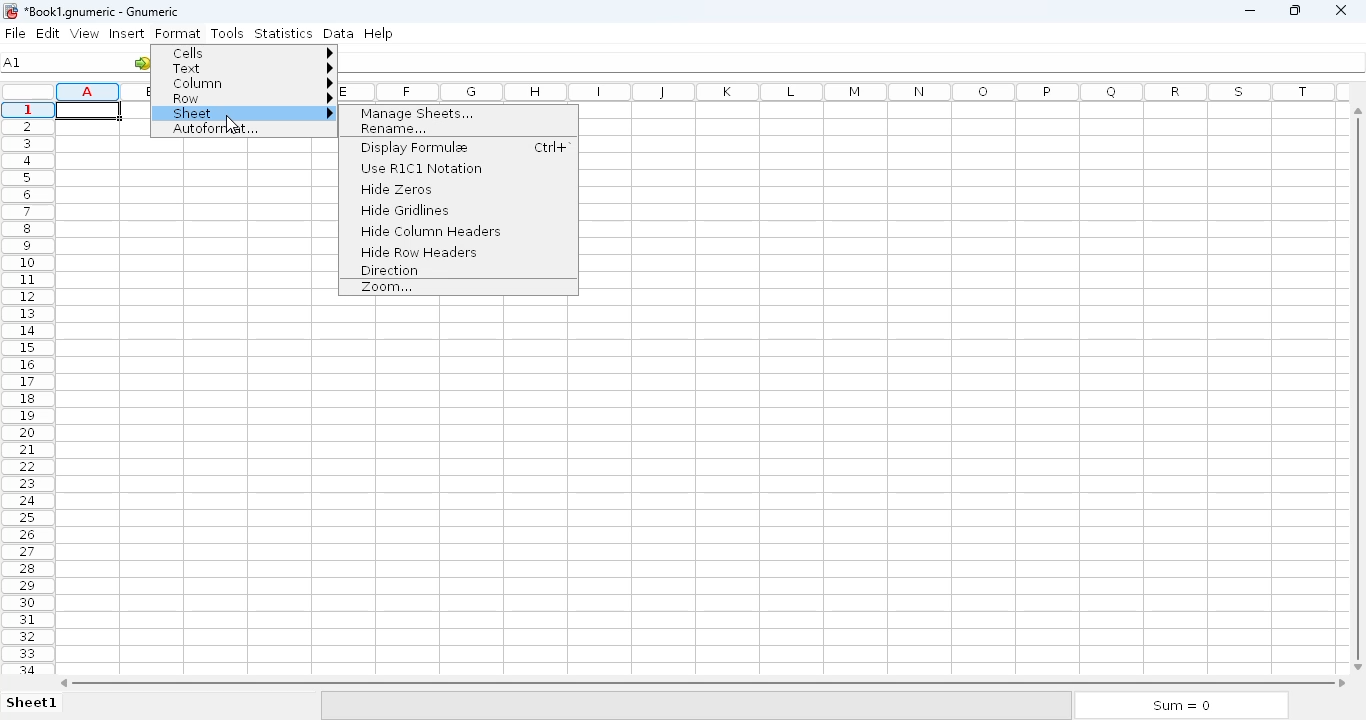 The height and width of the screenshot is (720, 1366). Describe the element at coordinates (854, 65) in the screenshot. I see `formula bar` at that location.